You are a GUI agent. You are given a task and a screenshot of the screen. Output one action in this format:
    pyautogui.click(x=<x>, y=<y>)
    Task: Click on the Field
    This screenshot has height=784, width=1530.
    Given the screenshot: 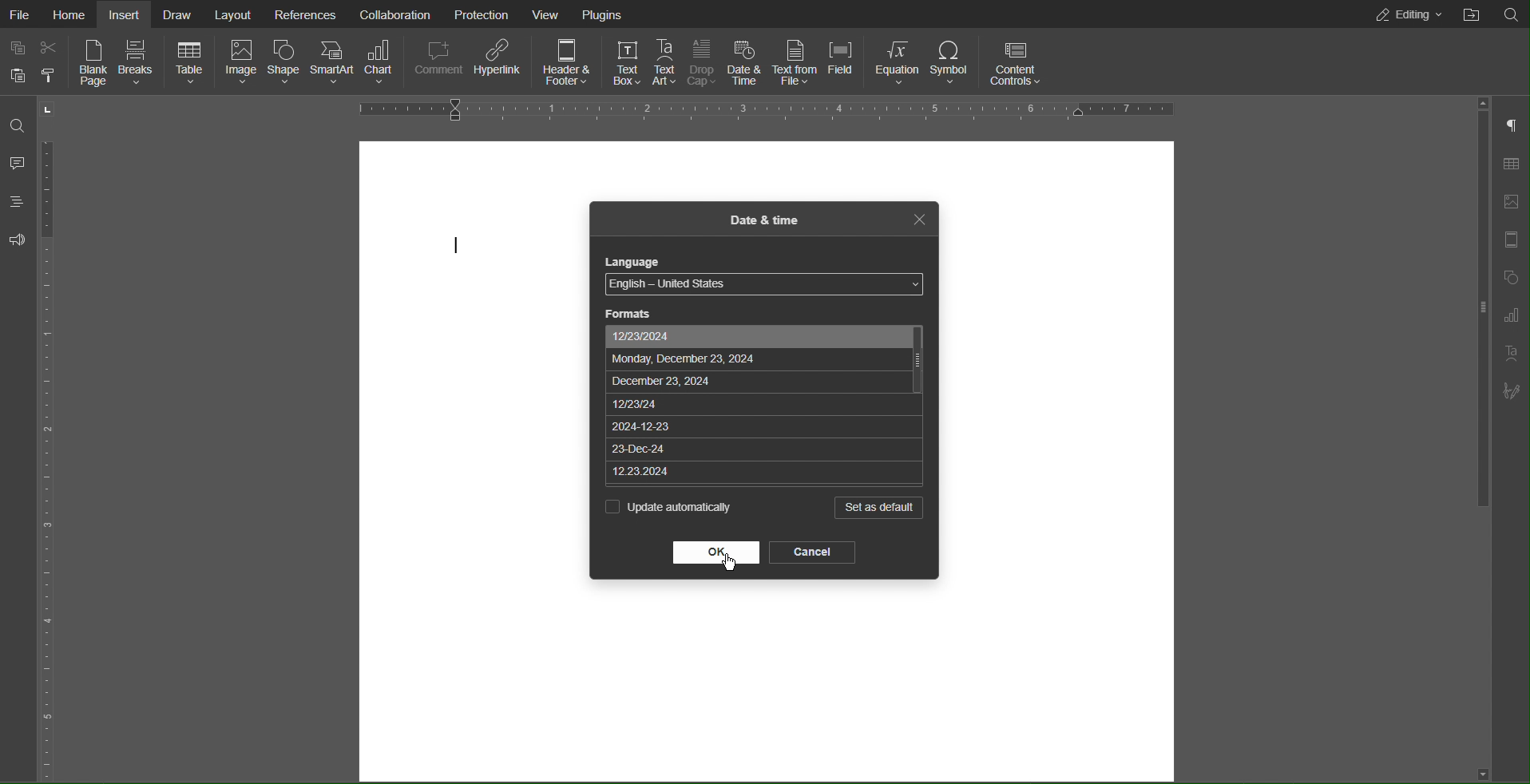 What is the action you would take?
    pyautogui.click(x=840, y=61)
    